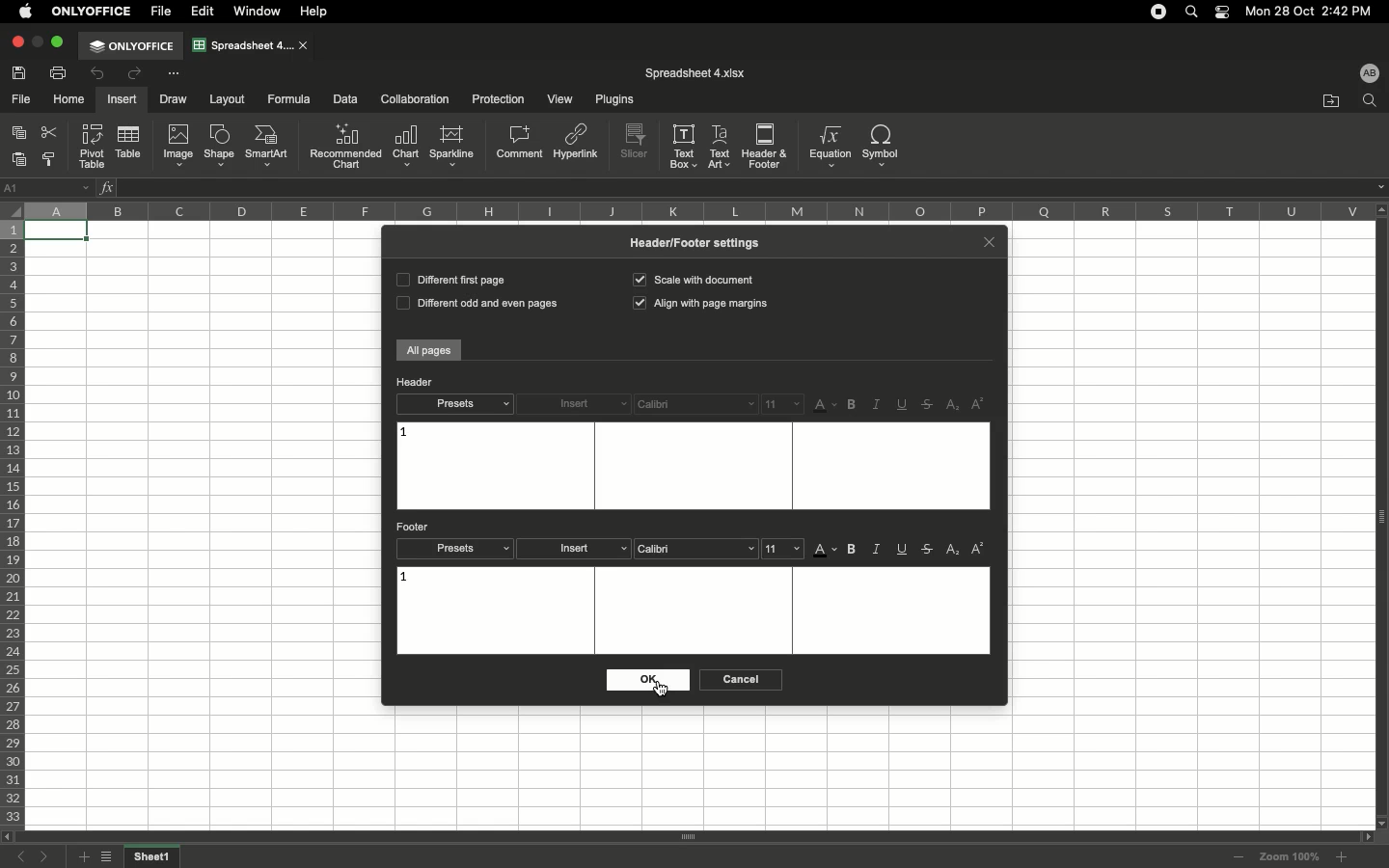 Image resolution: width=1389 pixels, height=868 pixels. What do you see at coordinates (449, 279) in the screenshot?
I see `Different first page` at bounding box center [449, 279].